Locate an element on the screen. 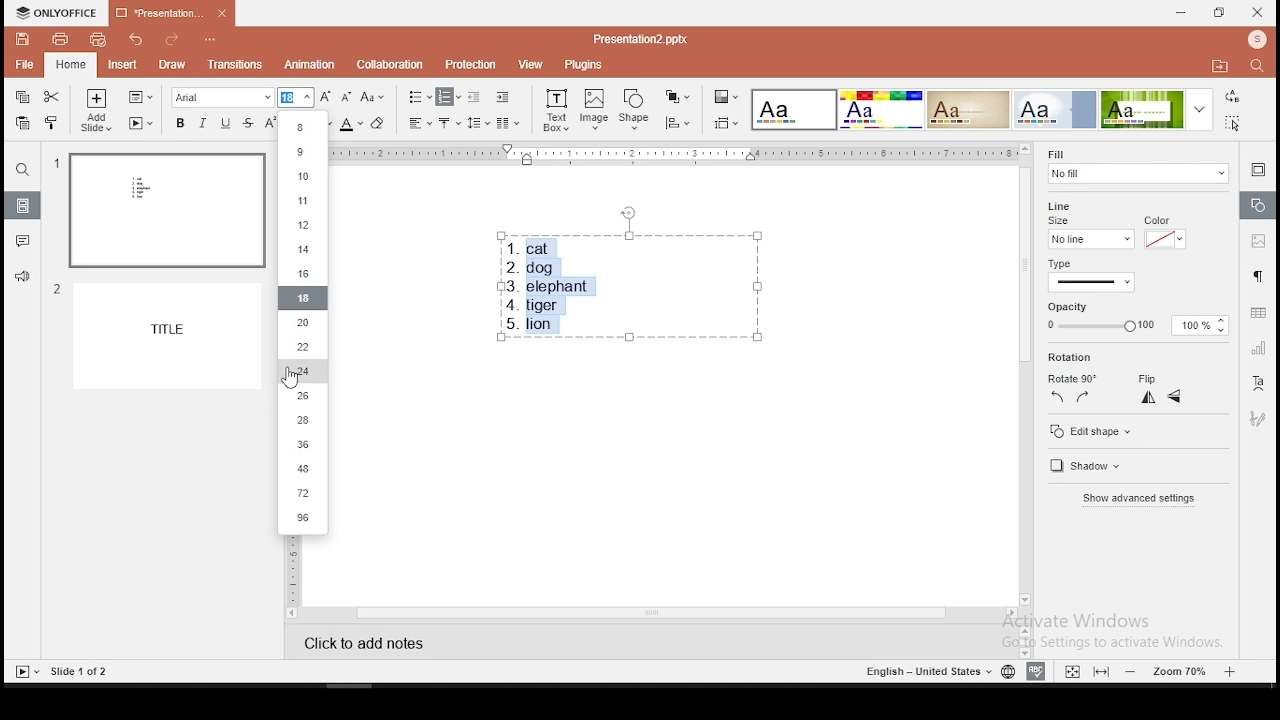  slide 1 is located at coordinates (160, 210).